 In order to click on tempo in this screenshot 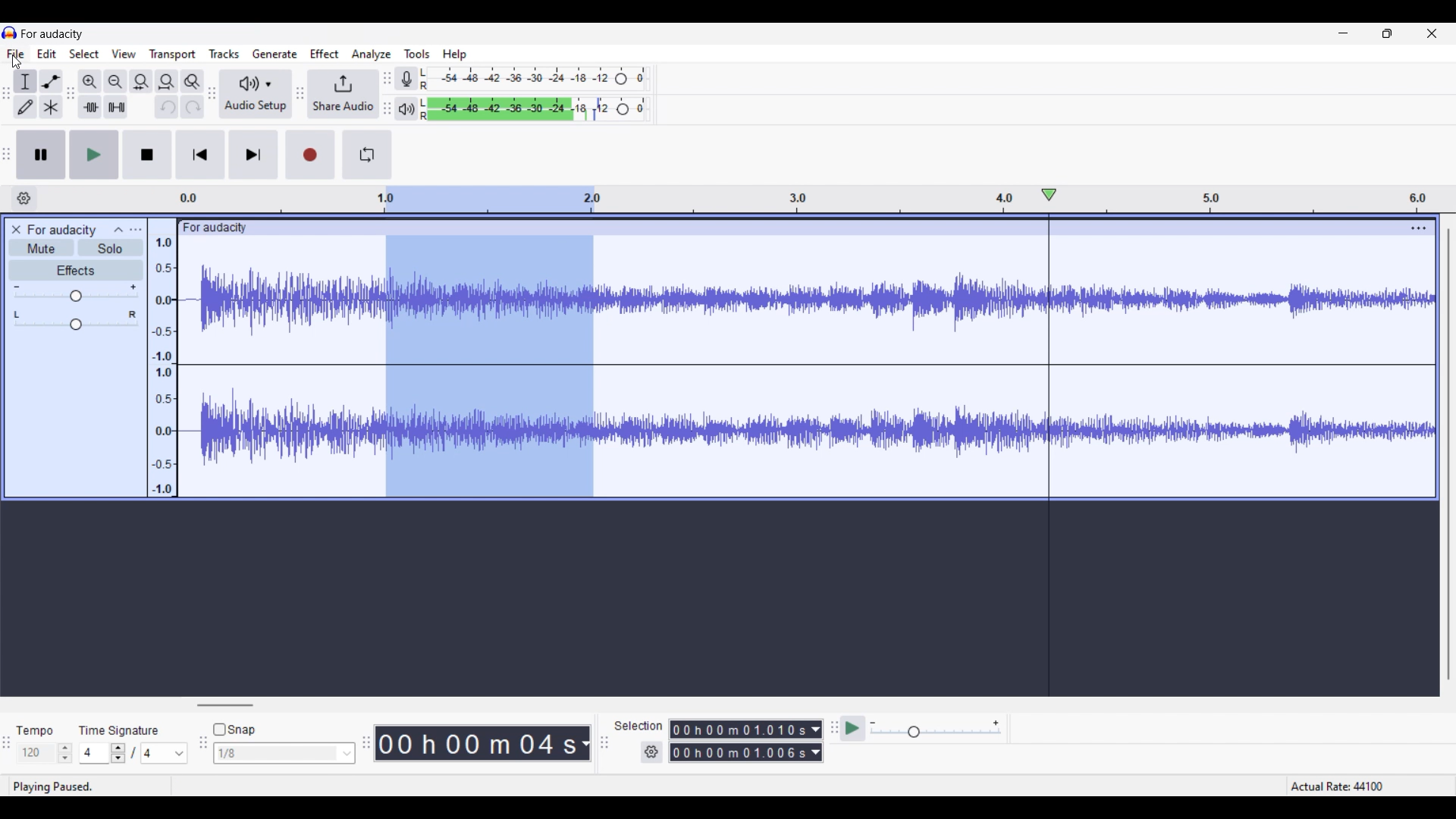, I will do `click(35, 731)`.